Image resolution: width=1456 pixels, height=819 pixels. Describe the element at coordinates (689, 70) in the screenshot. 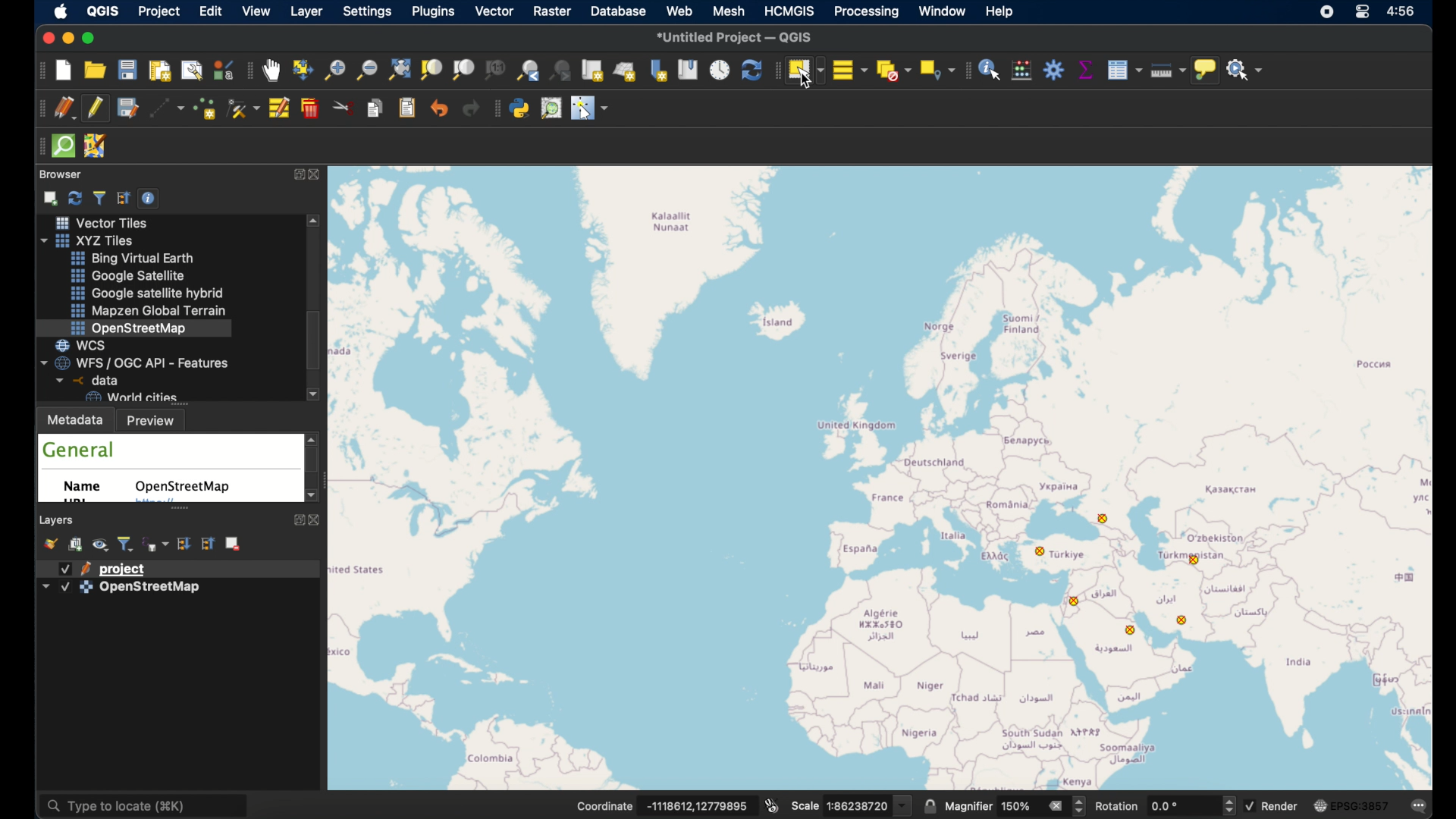

I see `show spatial bookmarks` at that location.